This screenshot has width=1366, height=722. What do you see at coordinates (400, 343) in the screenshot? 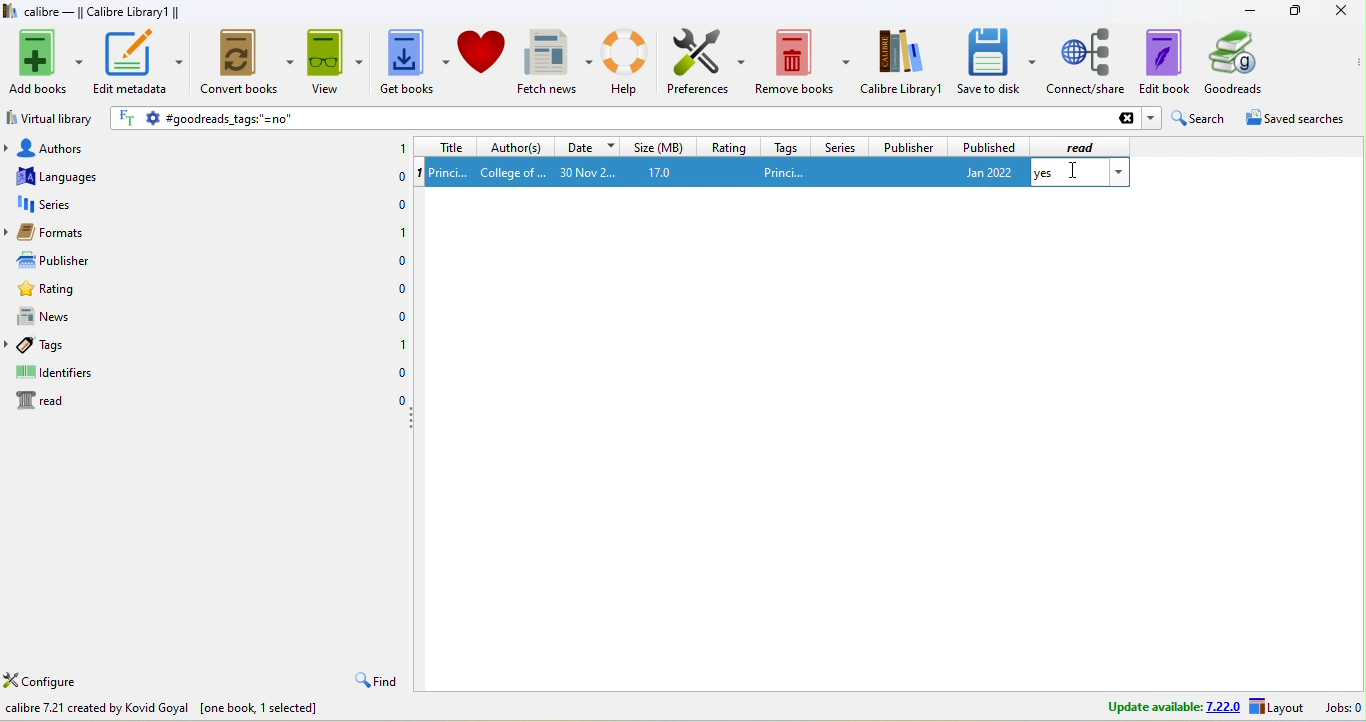
I see `1` at bounding box center [400, 343].